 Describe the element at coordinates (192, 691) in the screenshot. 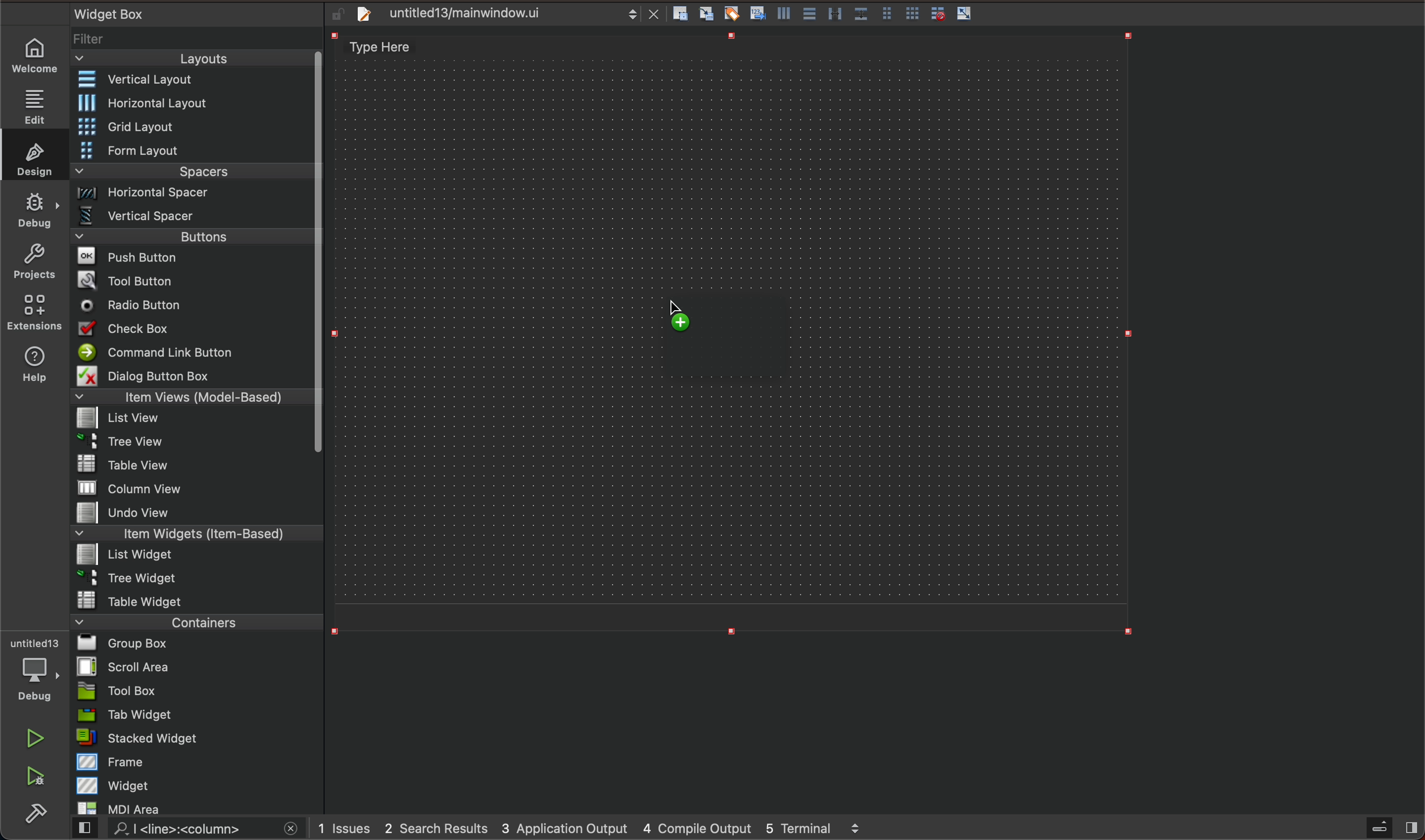

I see `tool box` at that location.